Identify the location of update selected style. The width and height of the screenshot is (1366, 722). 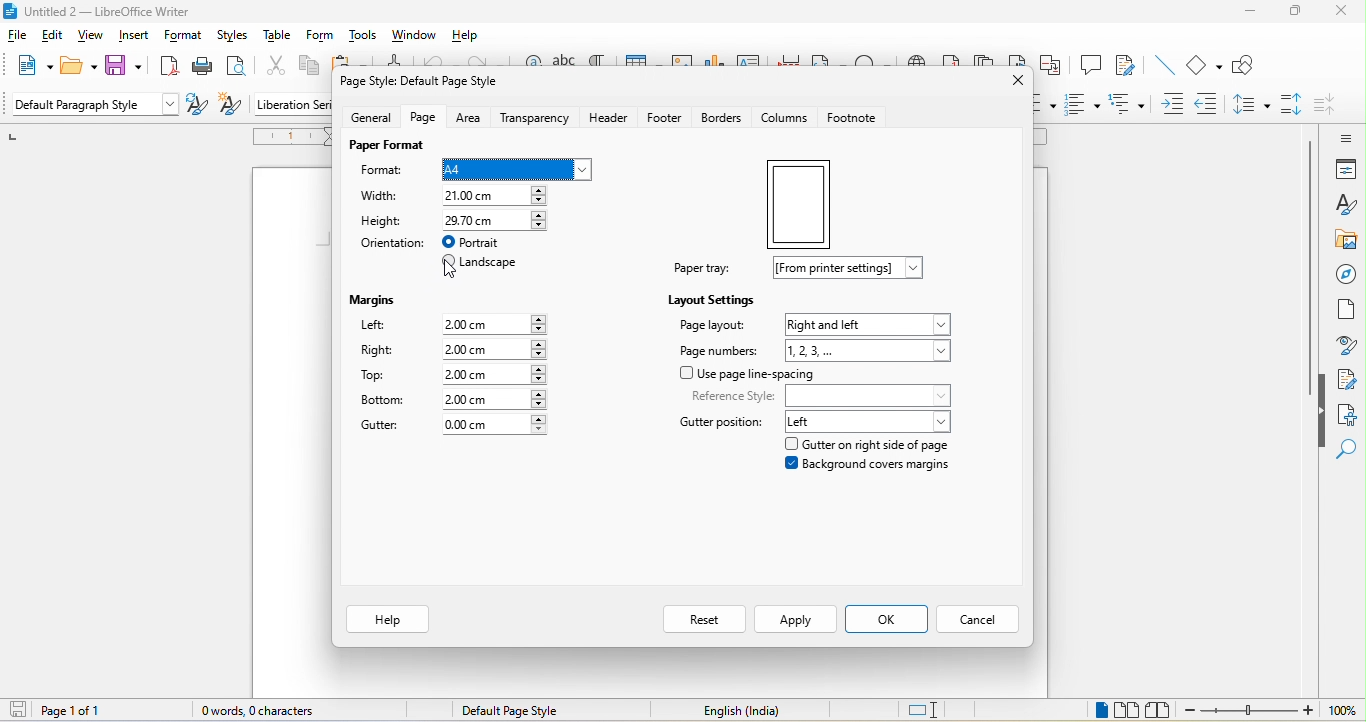
(197, 106).